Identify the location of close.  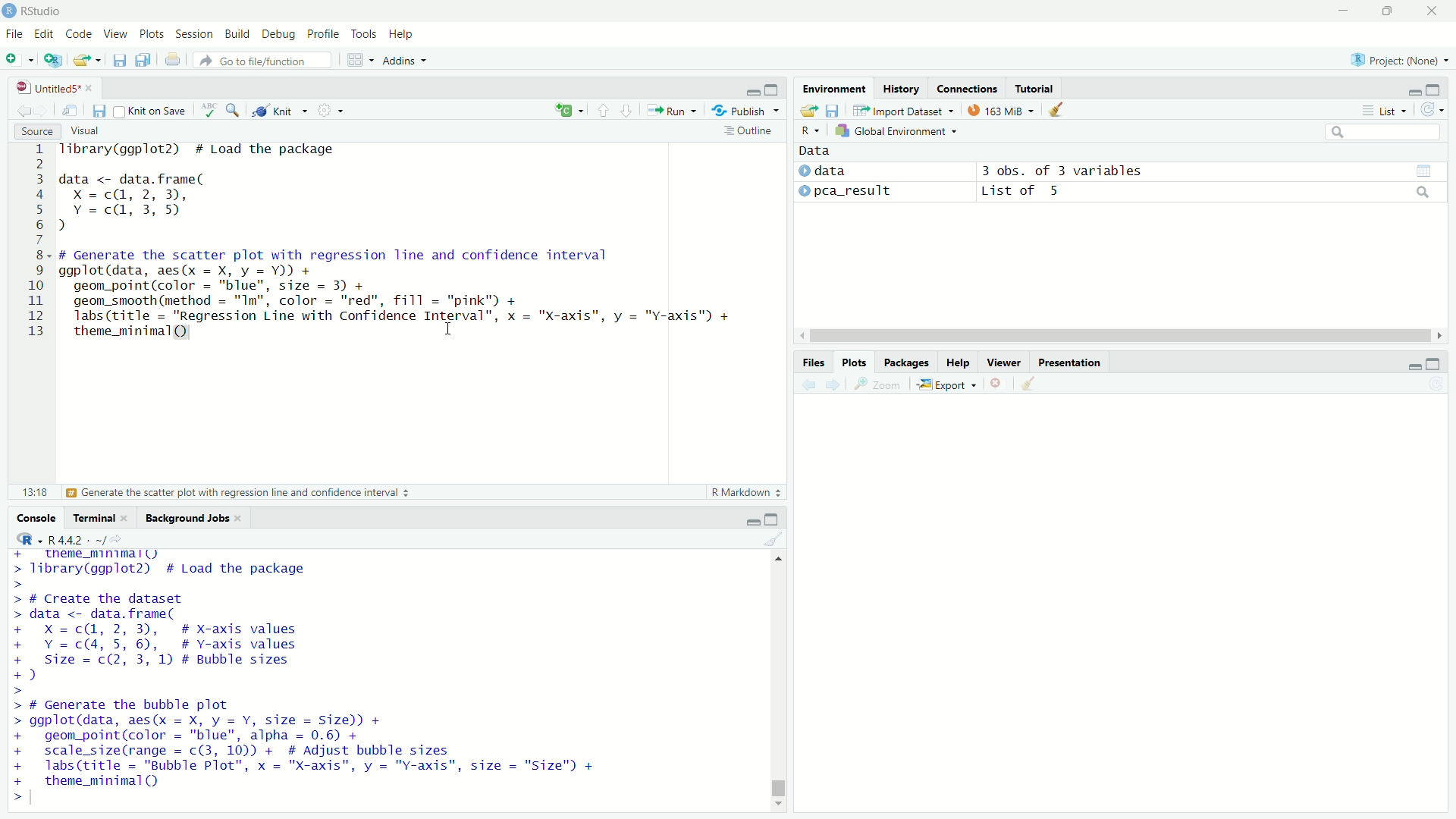
(242, 519).